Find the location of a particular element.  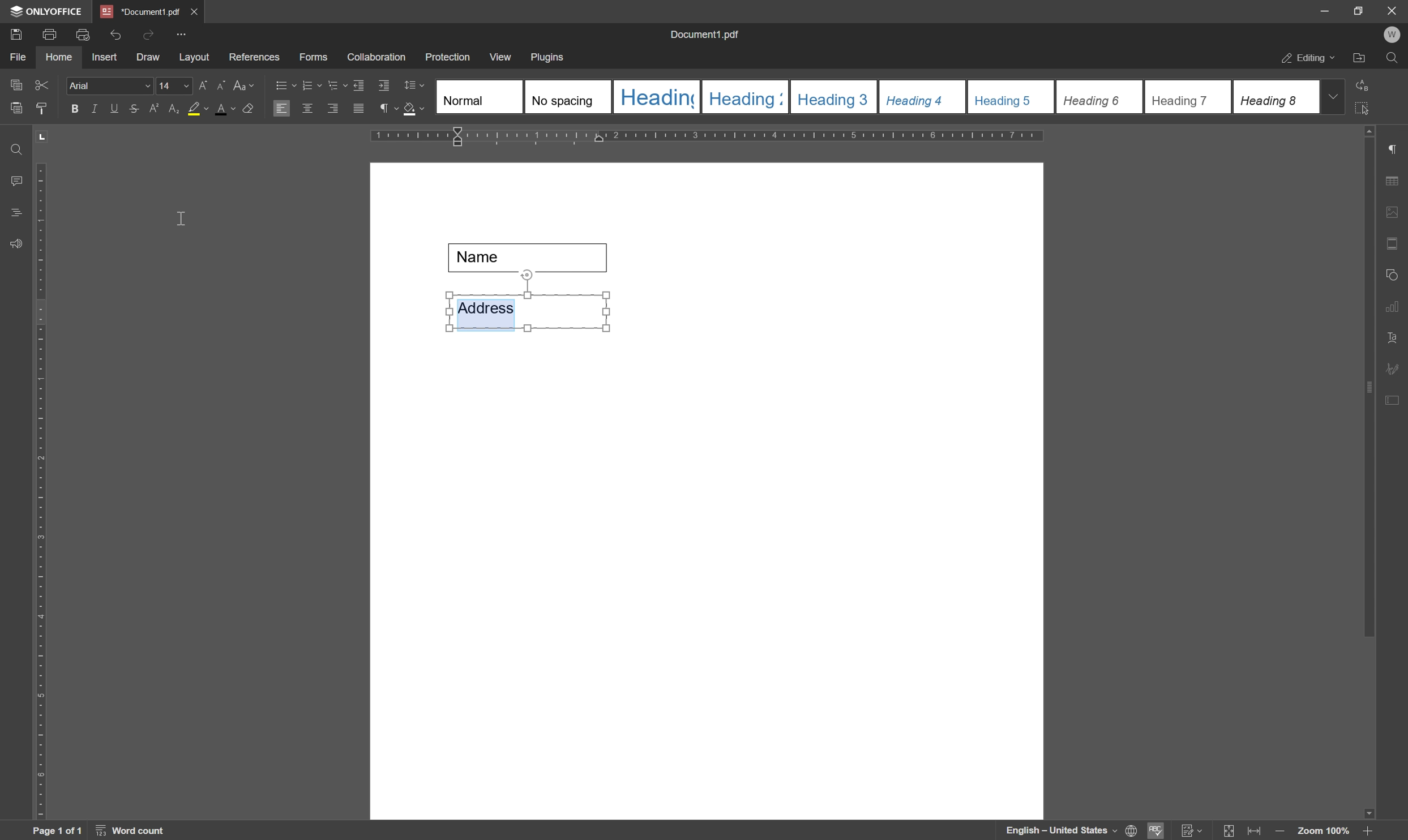

decrease indent is located at coordinates (357, 84).